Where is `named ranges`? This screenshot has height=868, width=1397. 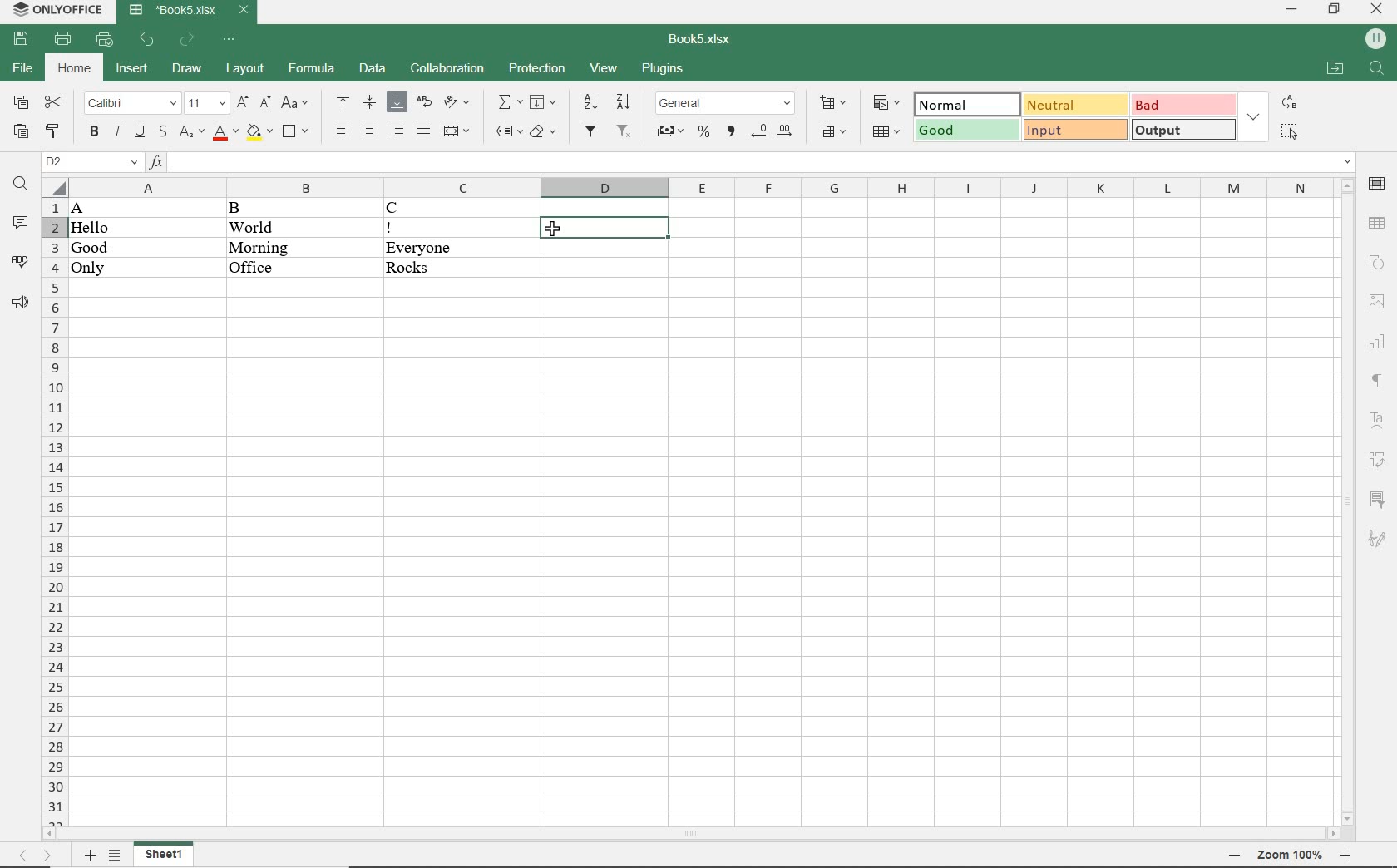 named ranges is located at coordinates (506, 133).